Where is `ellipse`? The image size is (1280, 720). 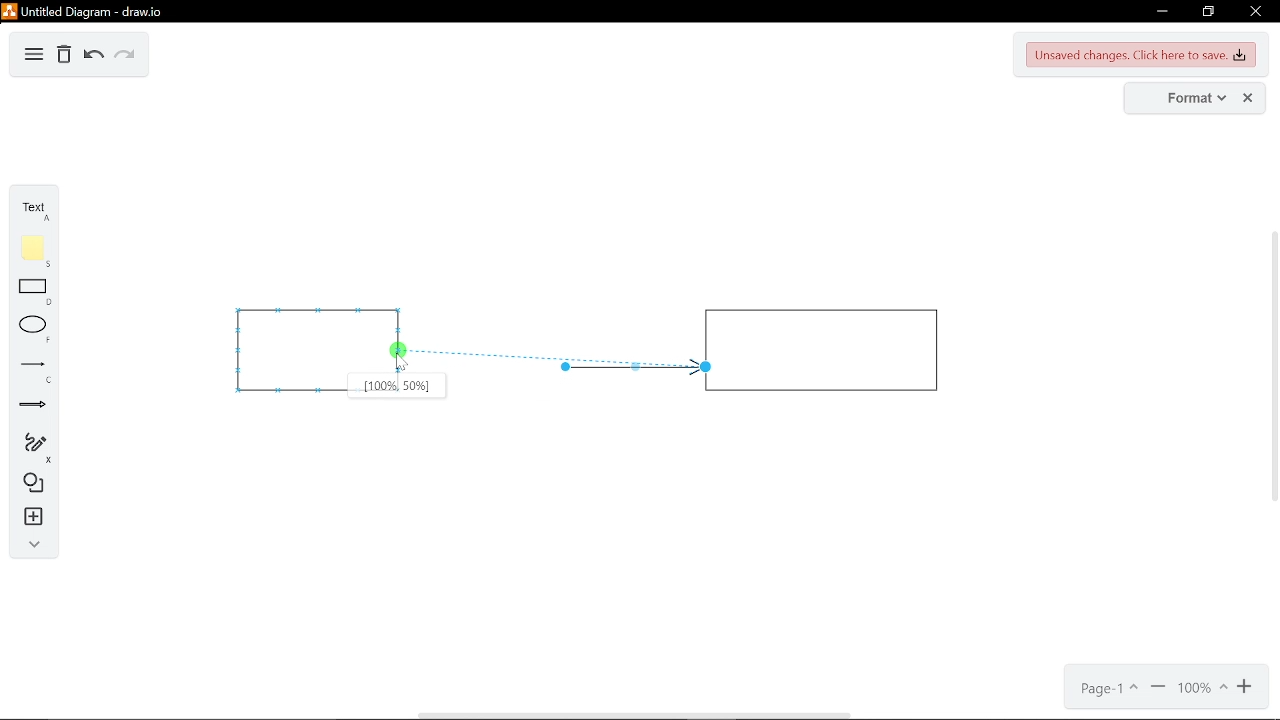 ellipse is located at coordinates (30, 330).